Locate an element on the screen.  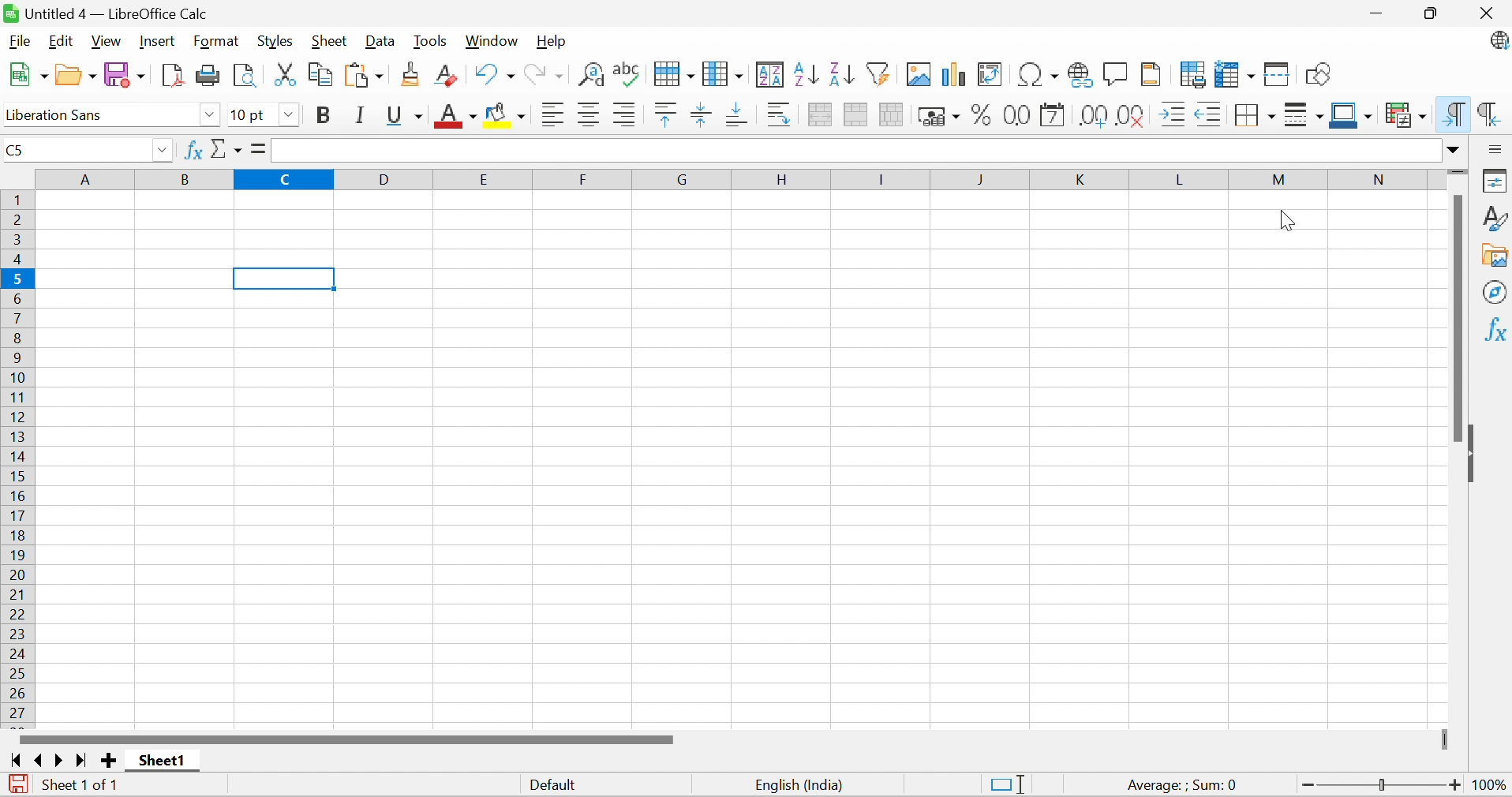
Border color is located at coordinates (1350, 116).